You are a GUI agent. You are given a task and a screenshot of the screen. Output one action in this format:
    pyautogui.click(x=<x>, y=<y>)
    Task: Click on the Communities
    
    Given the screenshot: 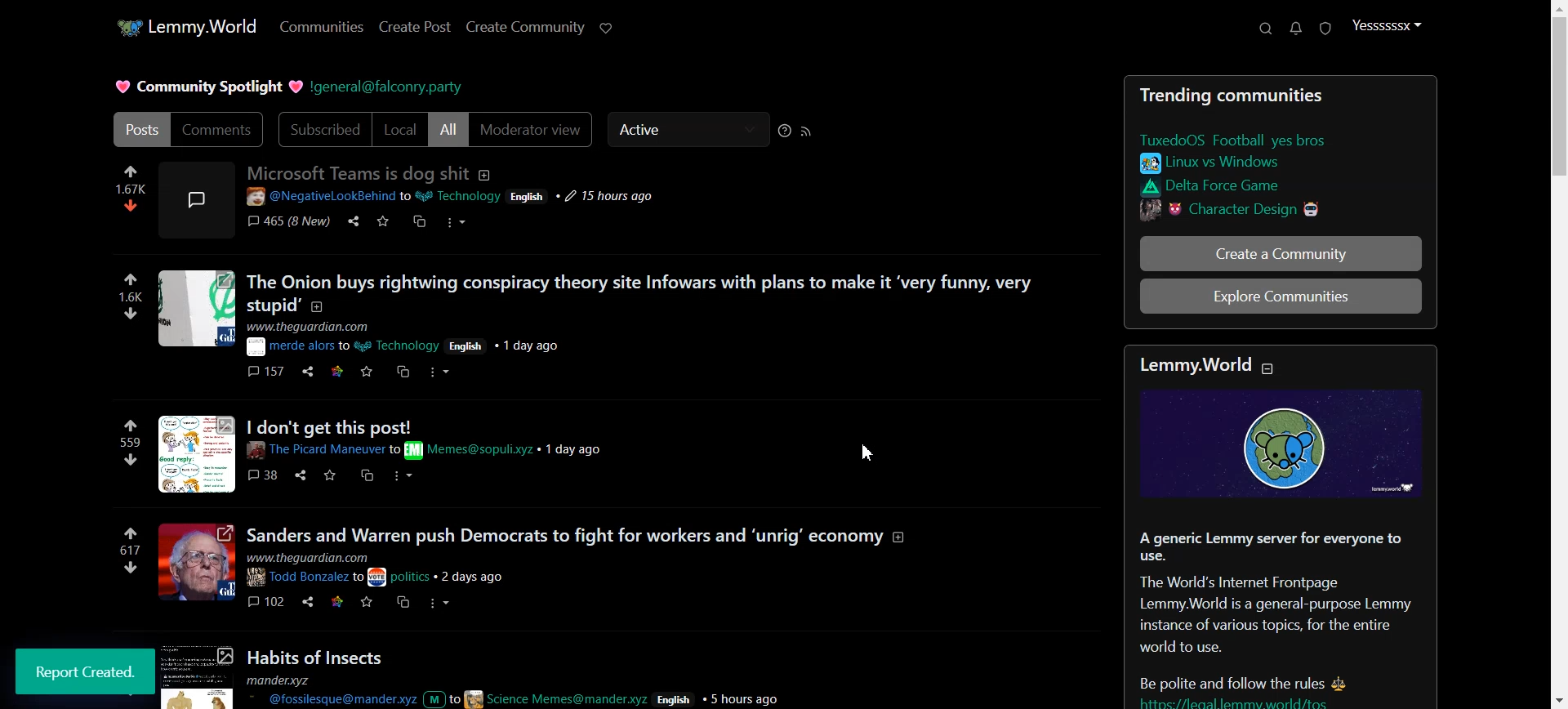 What is the action you would take?
    pyautogui.click(x=322, y=26)
    